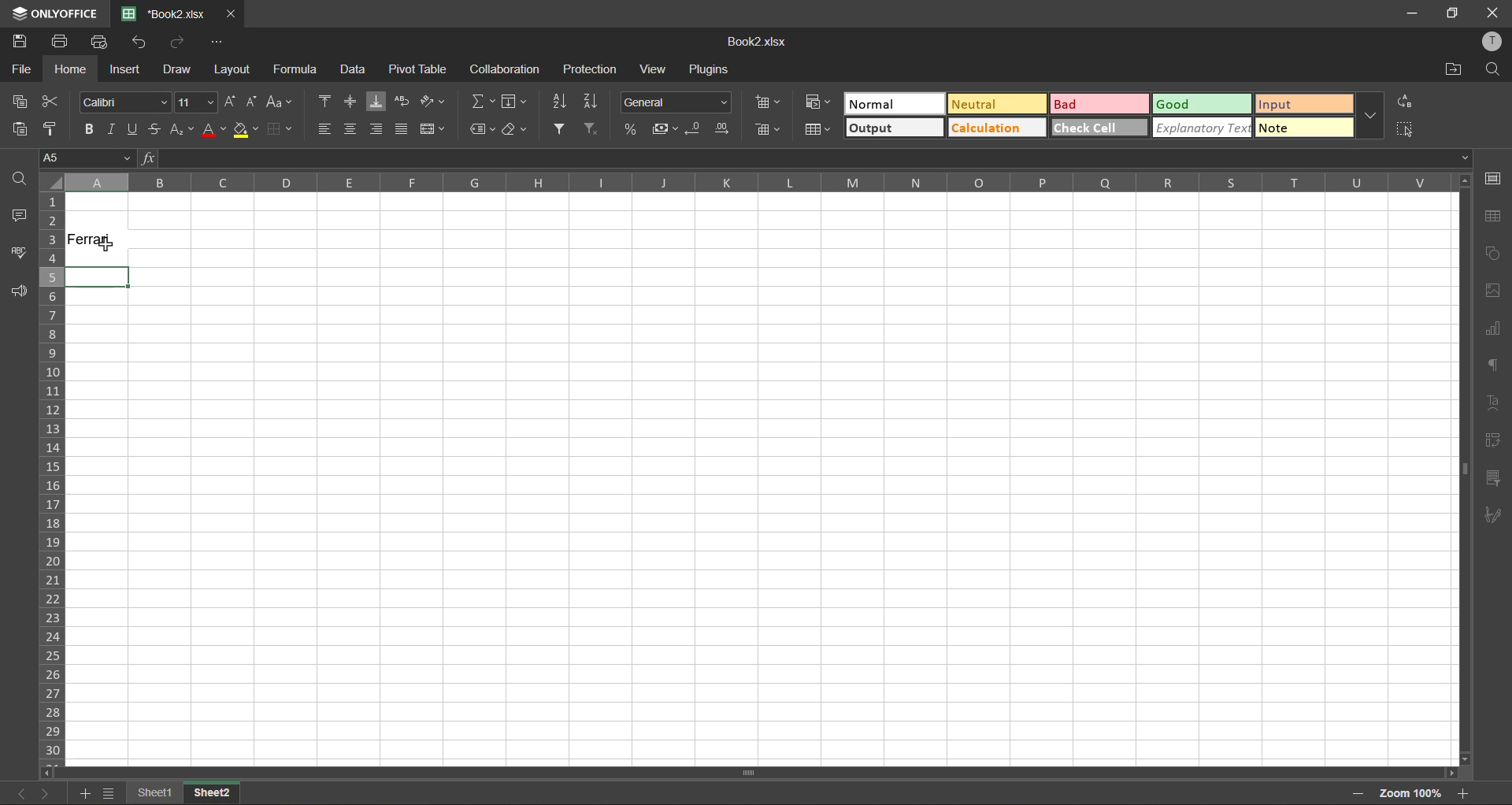 This screenshot has width=1512, height=805. What do you see at coordinates (182, 129) in the screenshot?
I see `sub/superscript` at bounding box center [182, 129].